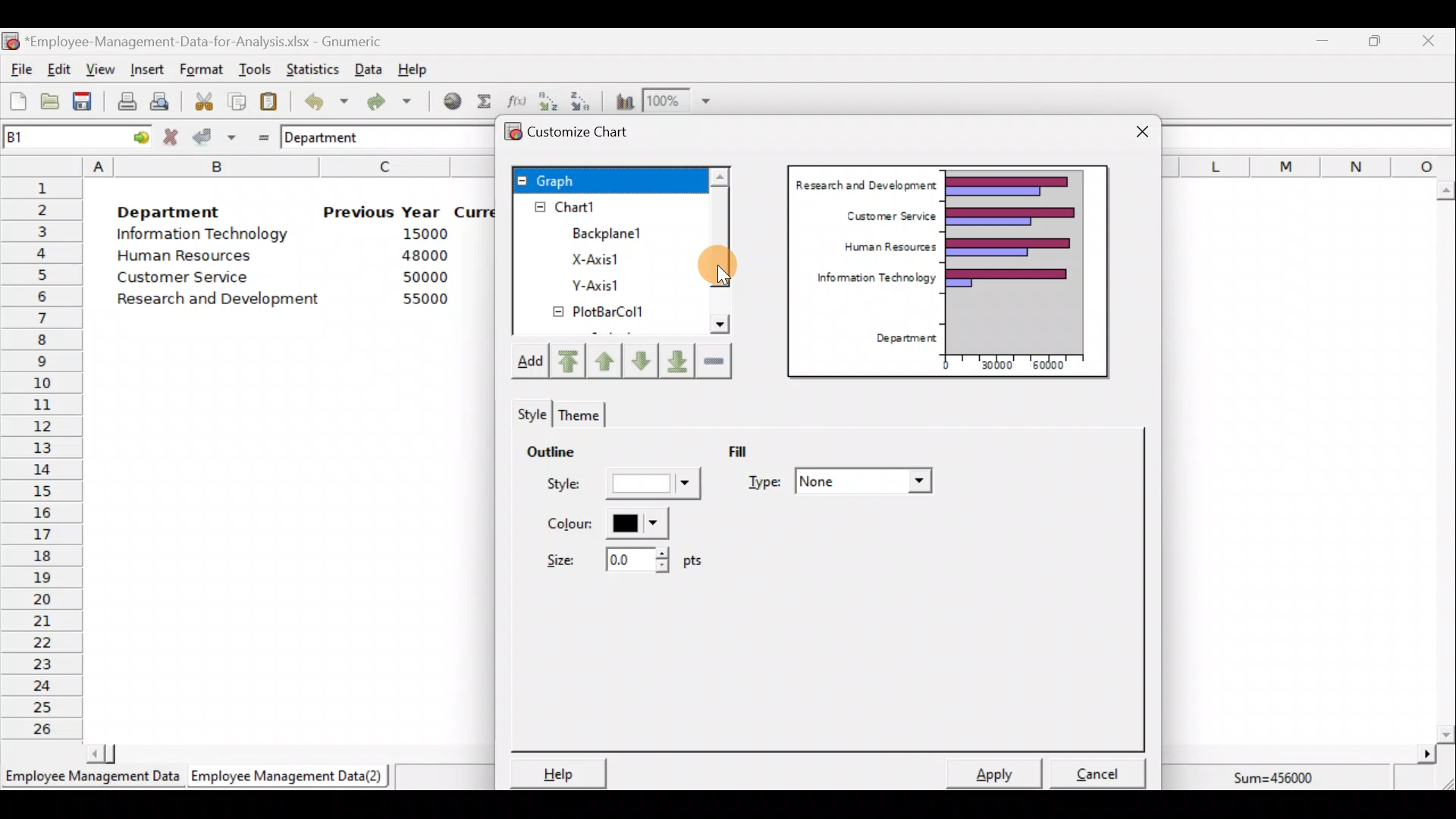  Describe the element at coordinates (135, 135) in the screenshot. I see `go to` at that location.